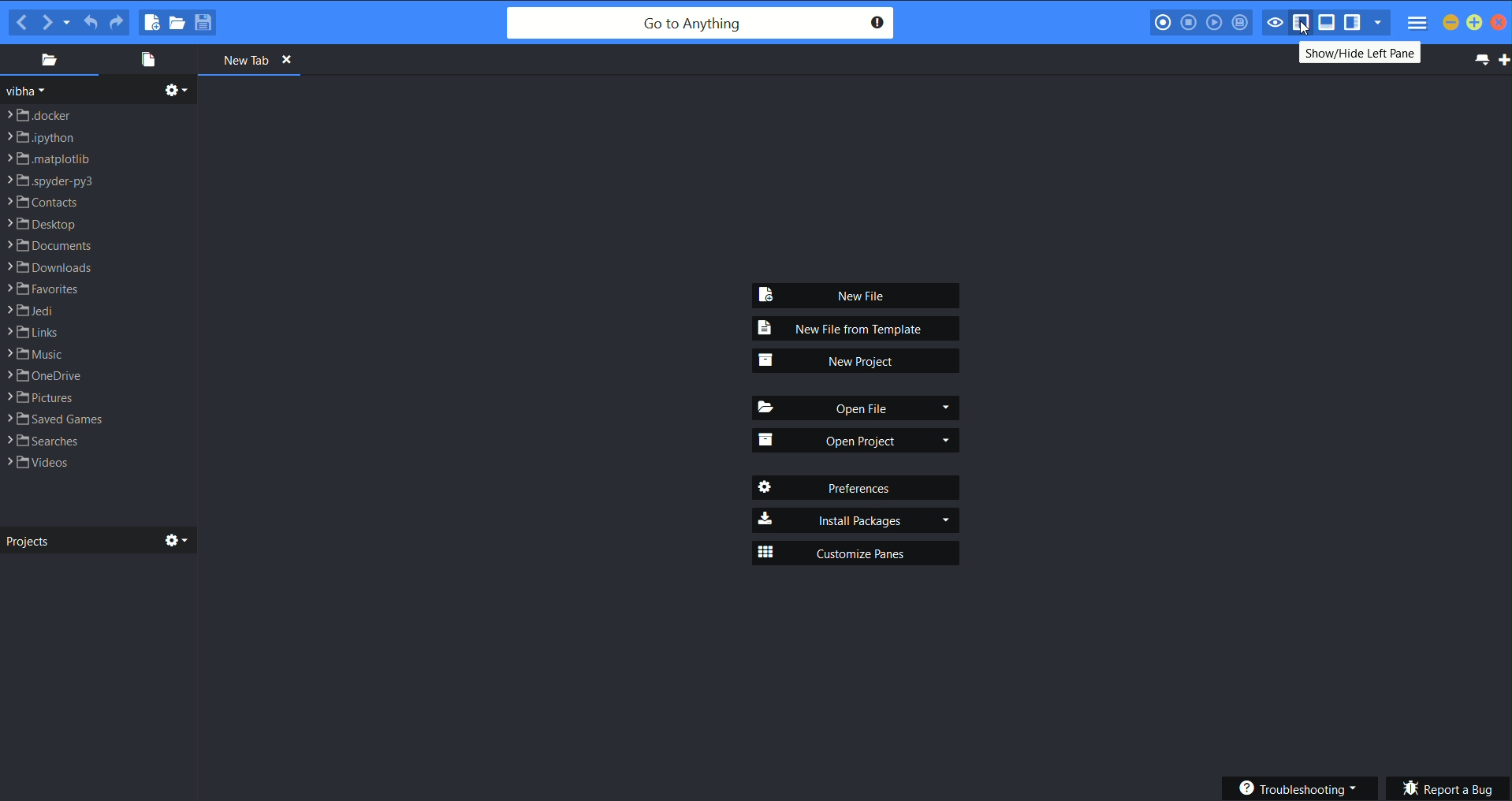 Image resolution: width=1512 pixels, height=801 pixels. Describe the element at coordinates (857, 552) in the screenshot. I see `customize panes` at that location.